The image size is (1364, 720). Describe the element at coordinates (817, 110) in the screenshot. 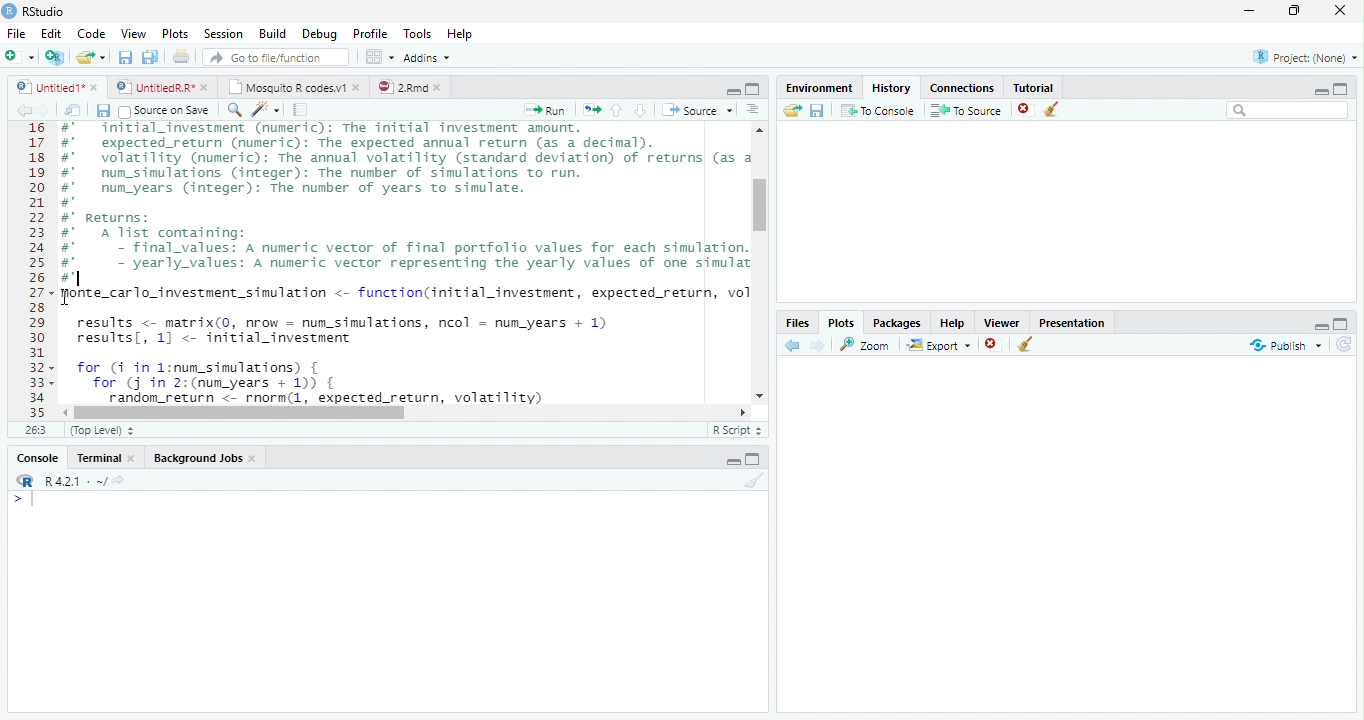

I see `Save` at that location.